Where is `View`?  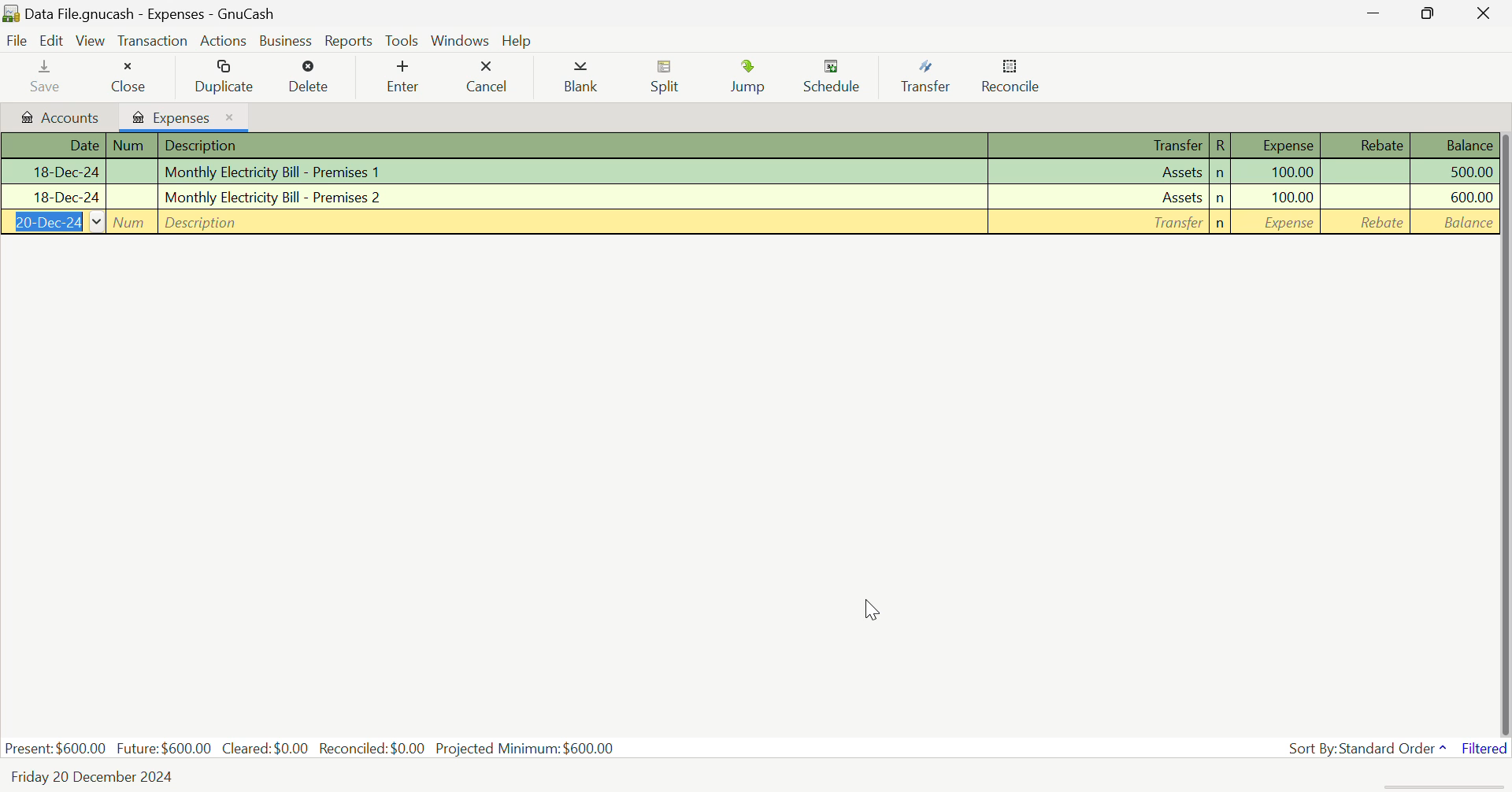
View is located at coordinates (91, 42).